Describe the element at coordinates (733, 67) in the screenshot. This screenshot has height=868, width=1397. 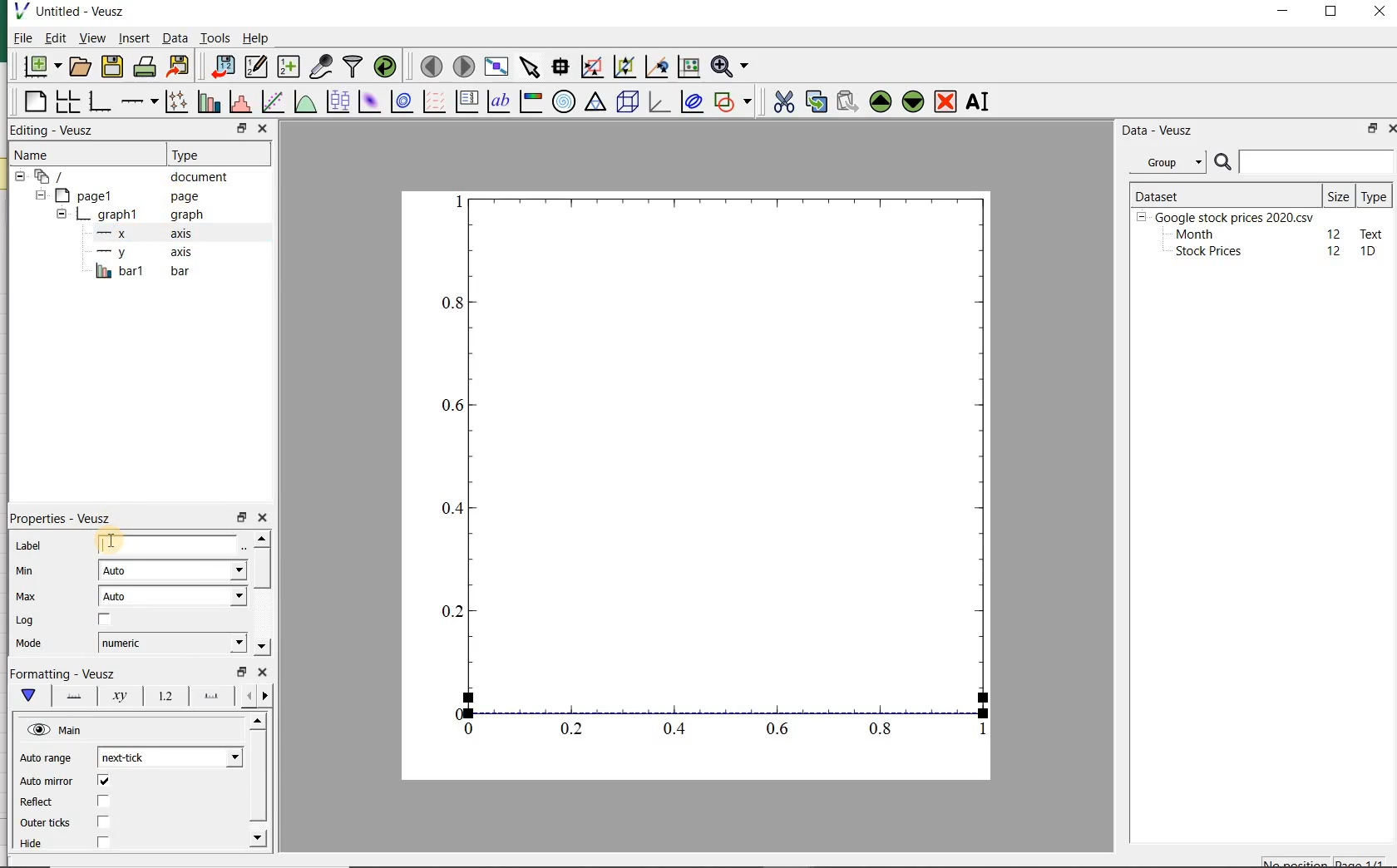
I see `zoom function menus` at that location.